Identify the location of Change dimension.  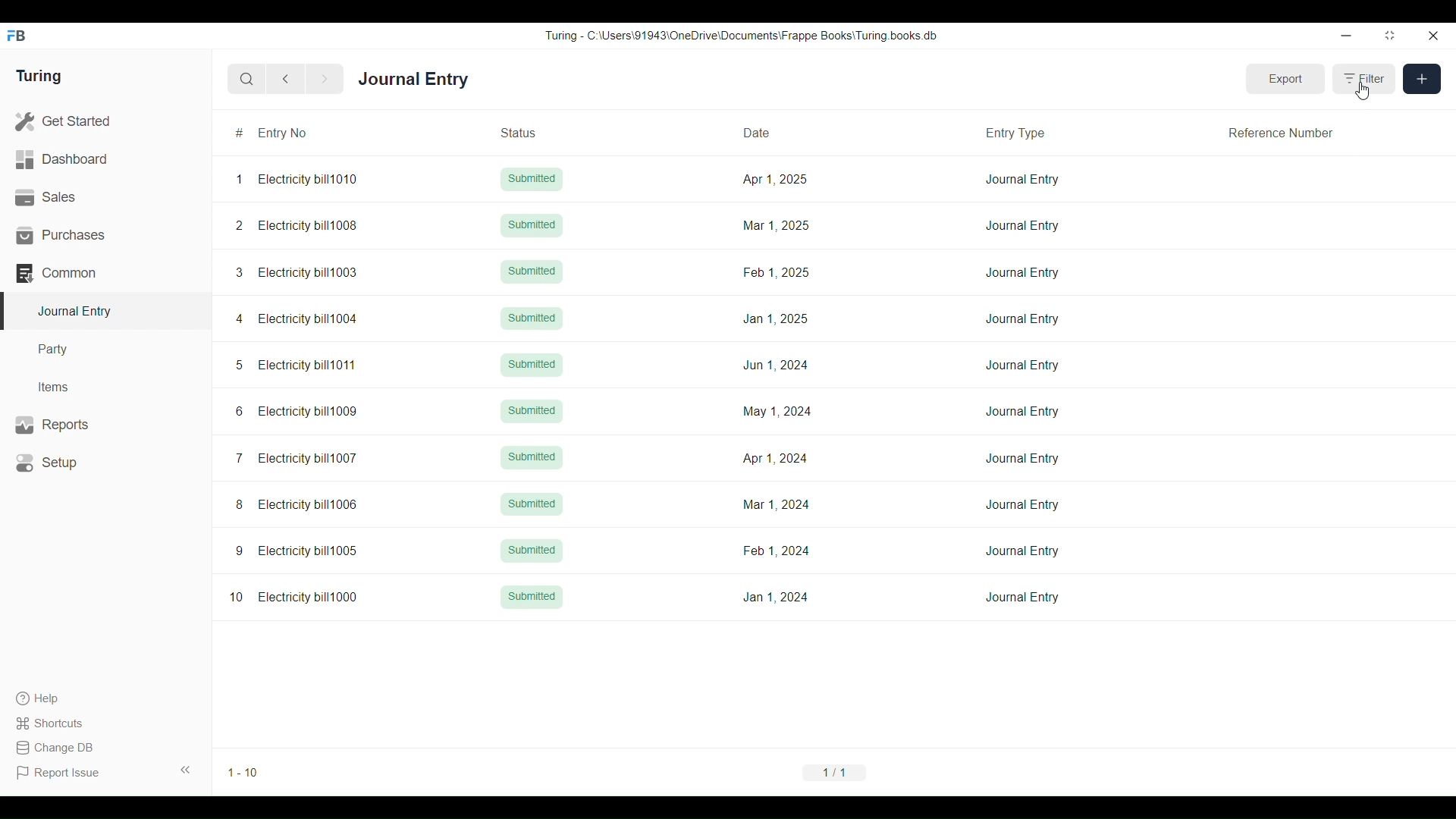
(1390, 35).